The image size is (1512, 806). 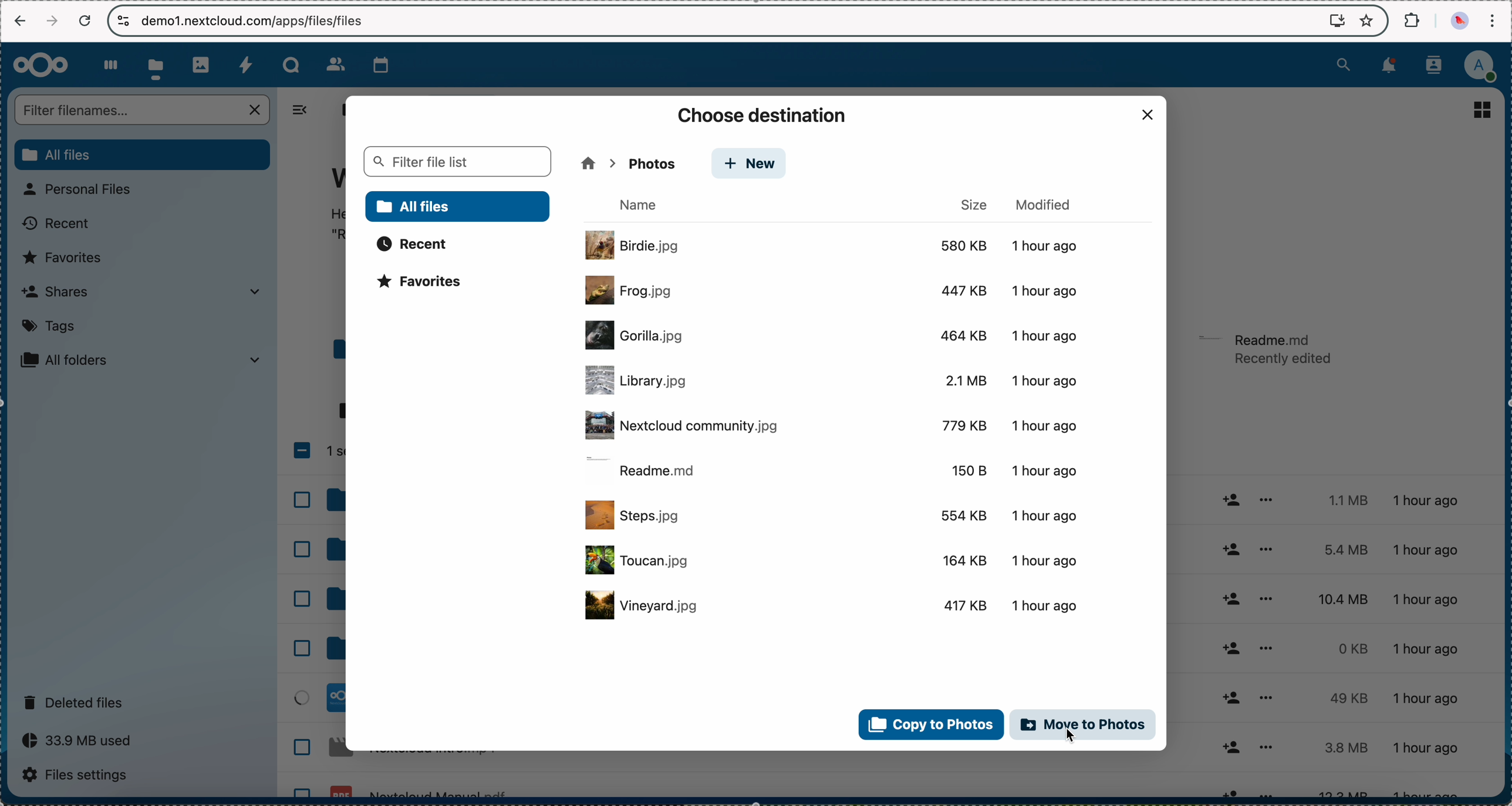 What do you see at coordinates (974, 204) in the screenshot?
I see `size` at bounding box center [974, 204].